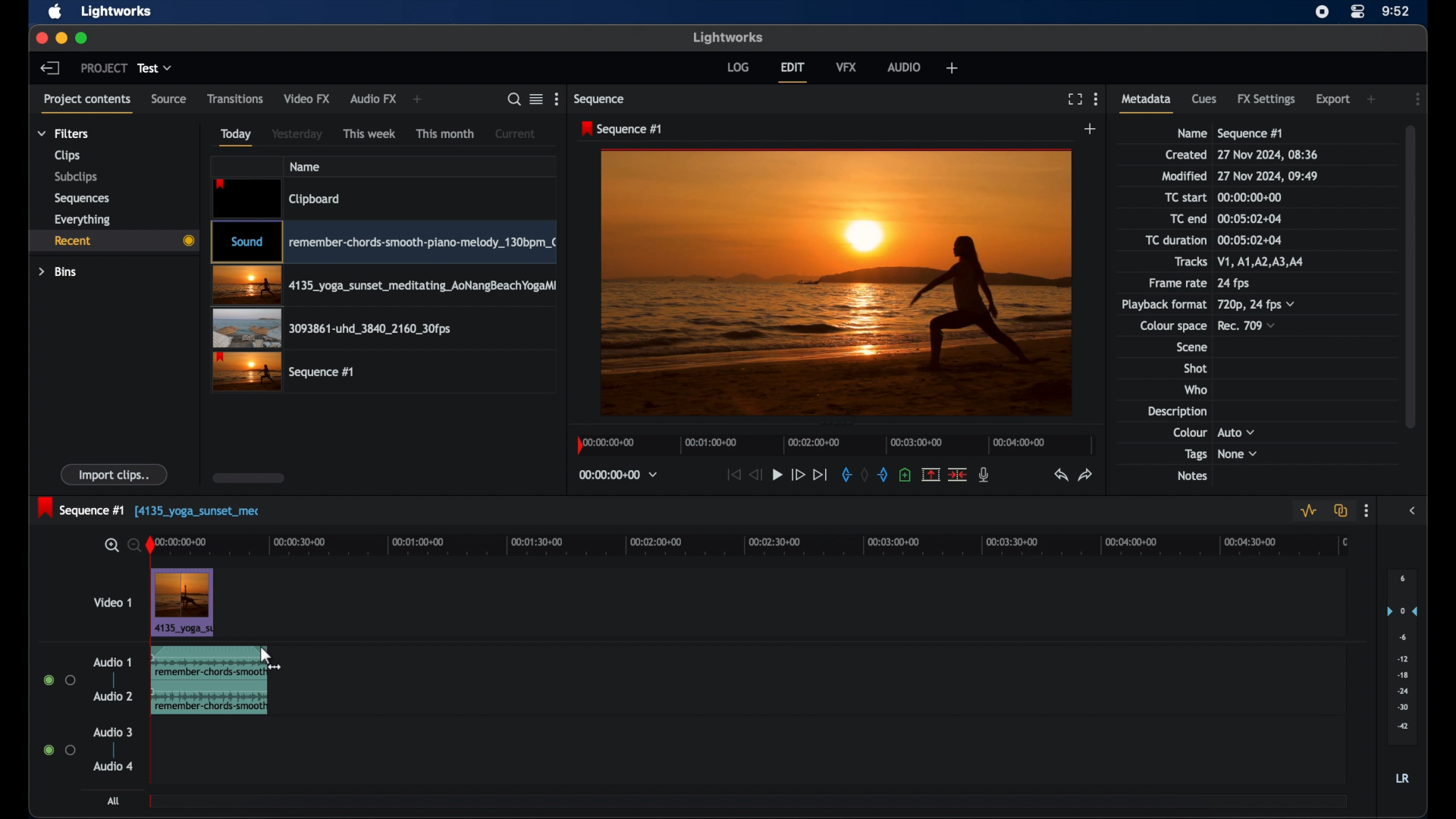 The width and height of the screenshot is (1456, 819). I want to click on add, so click(1373, 99).